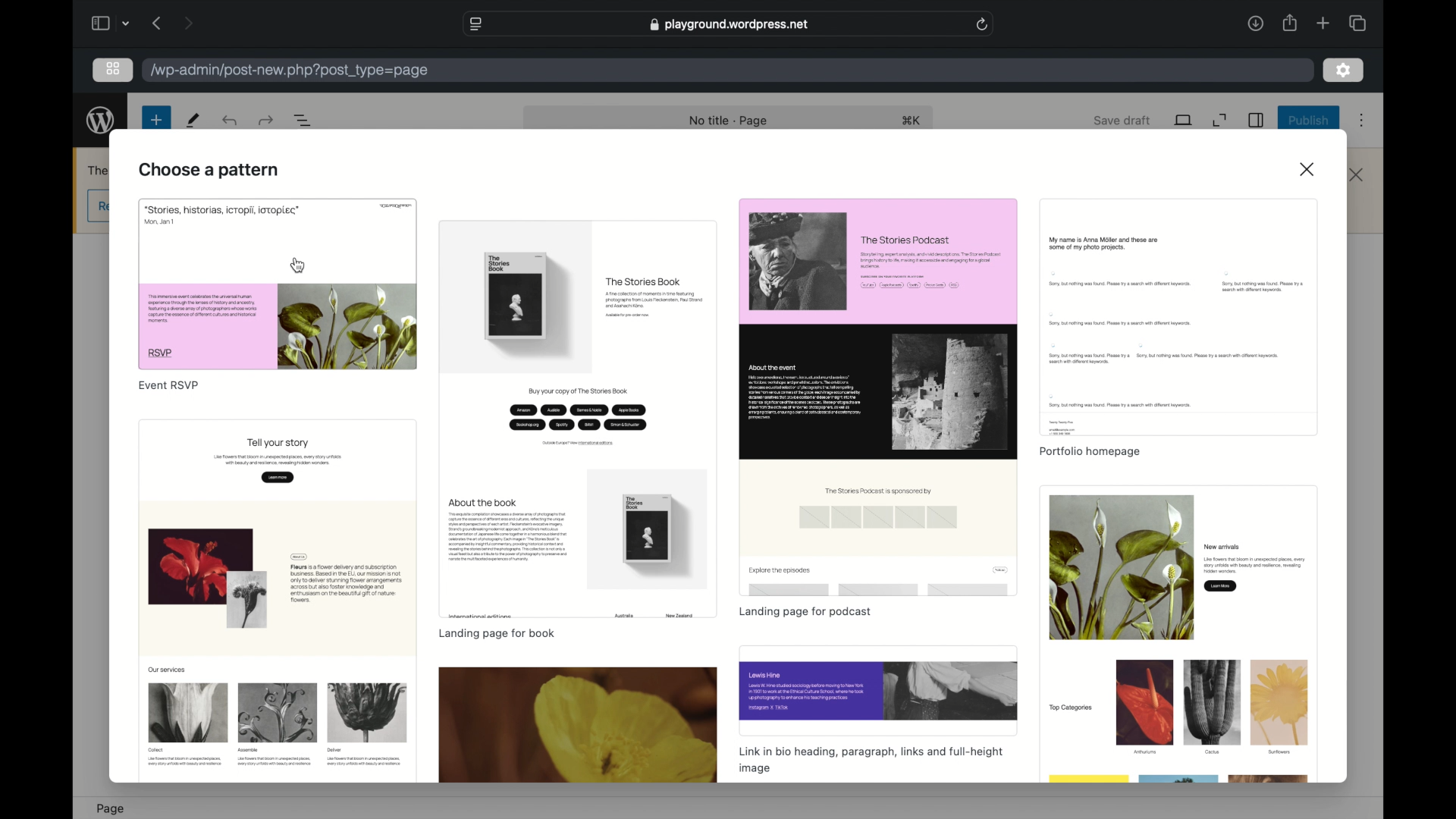 The height and width of the screenshot is (819, 1456). I want to click on page, so click(110, 808).